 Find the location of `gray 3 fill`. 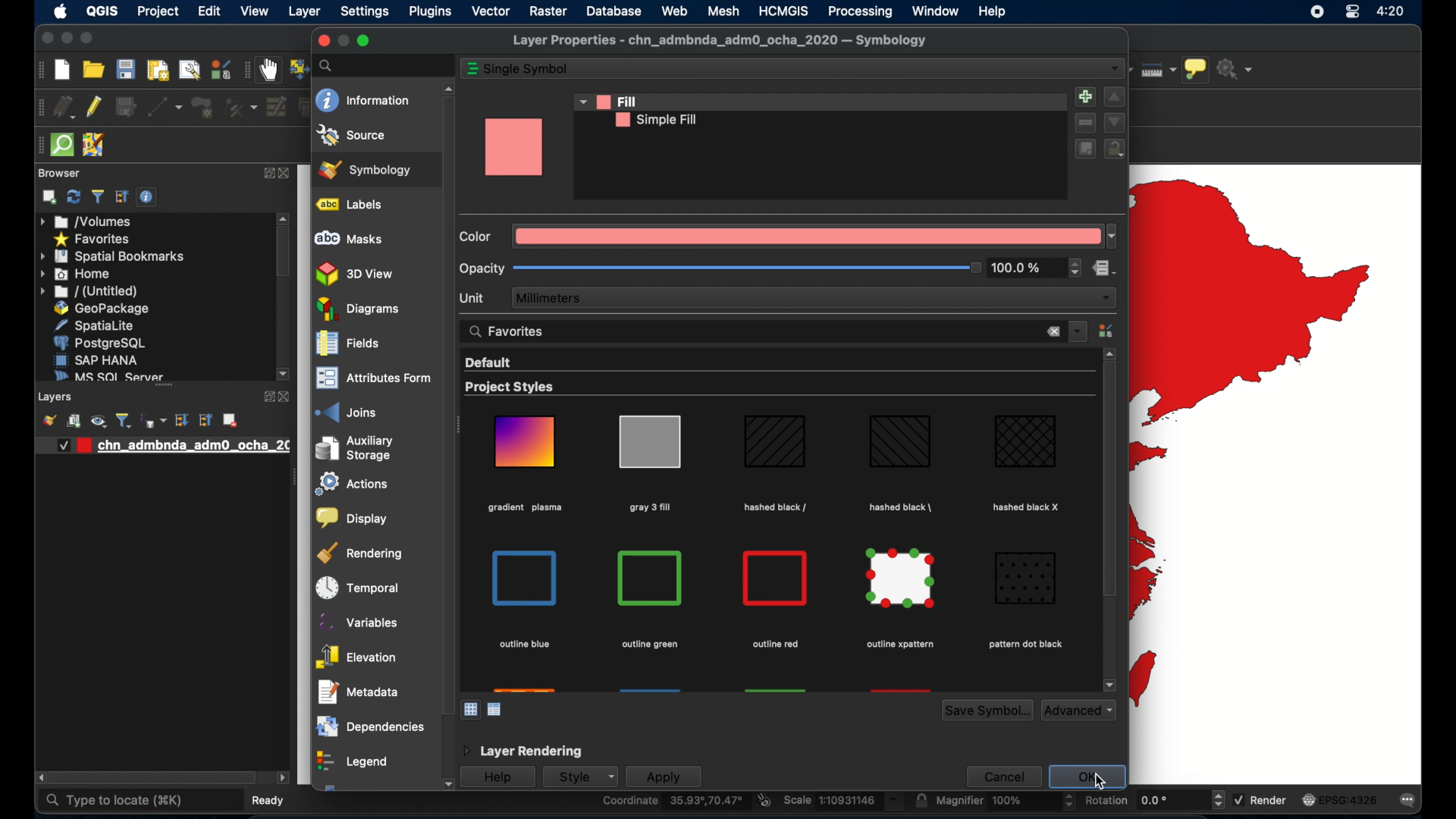

gray 3 fill is located at coordinates (648, 507).